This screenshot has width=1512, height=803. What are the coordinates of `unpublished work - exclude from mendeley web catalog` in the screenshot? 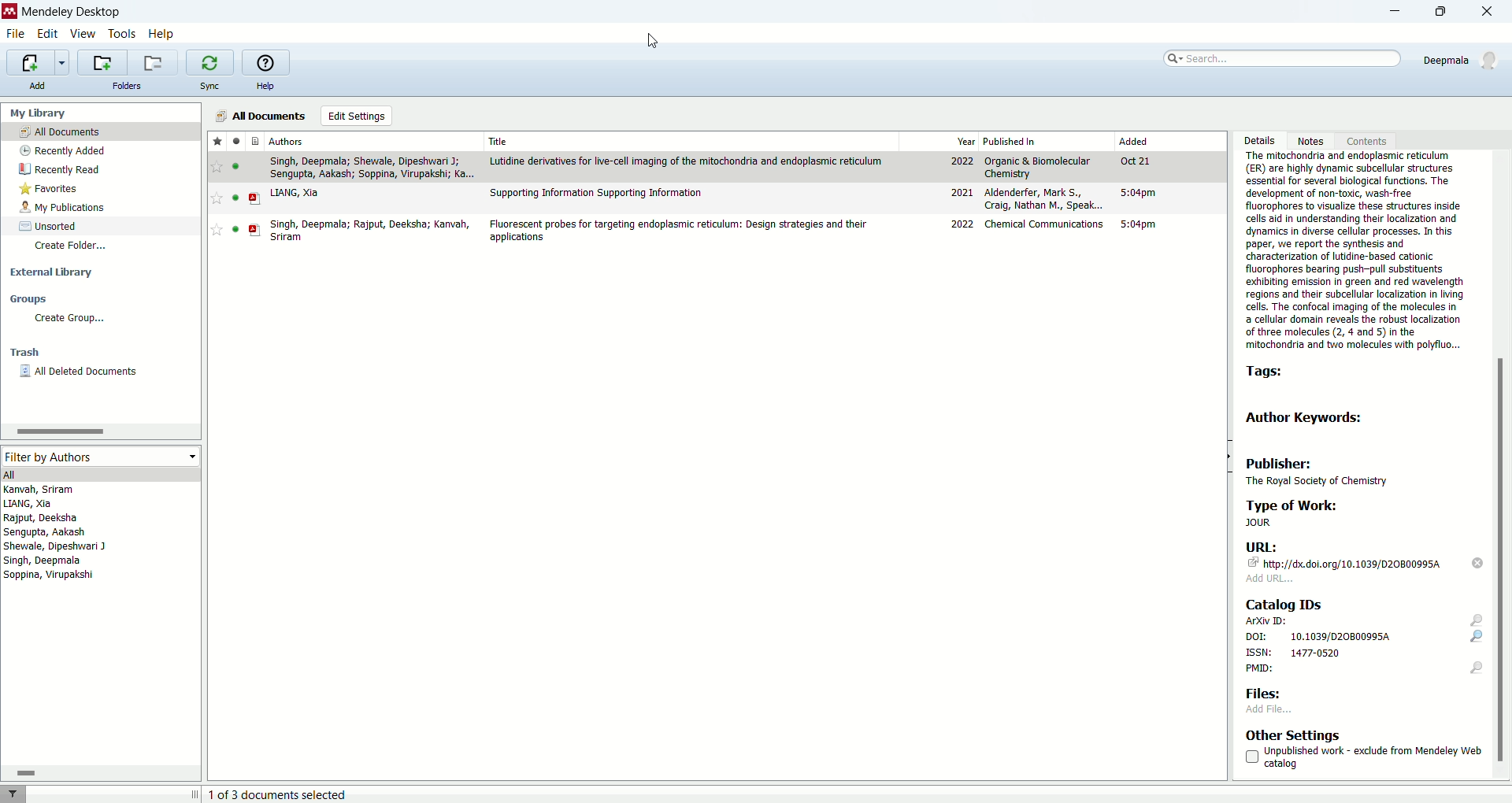 It's located at (1363, 757).